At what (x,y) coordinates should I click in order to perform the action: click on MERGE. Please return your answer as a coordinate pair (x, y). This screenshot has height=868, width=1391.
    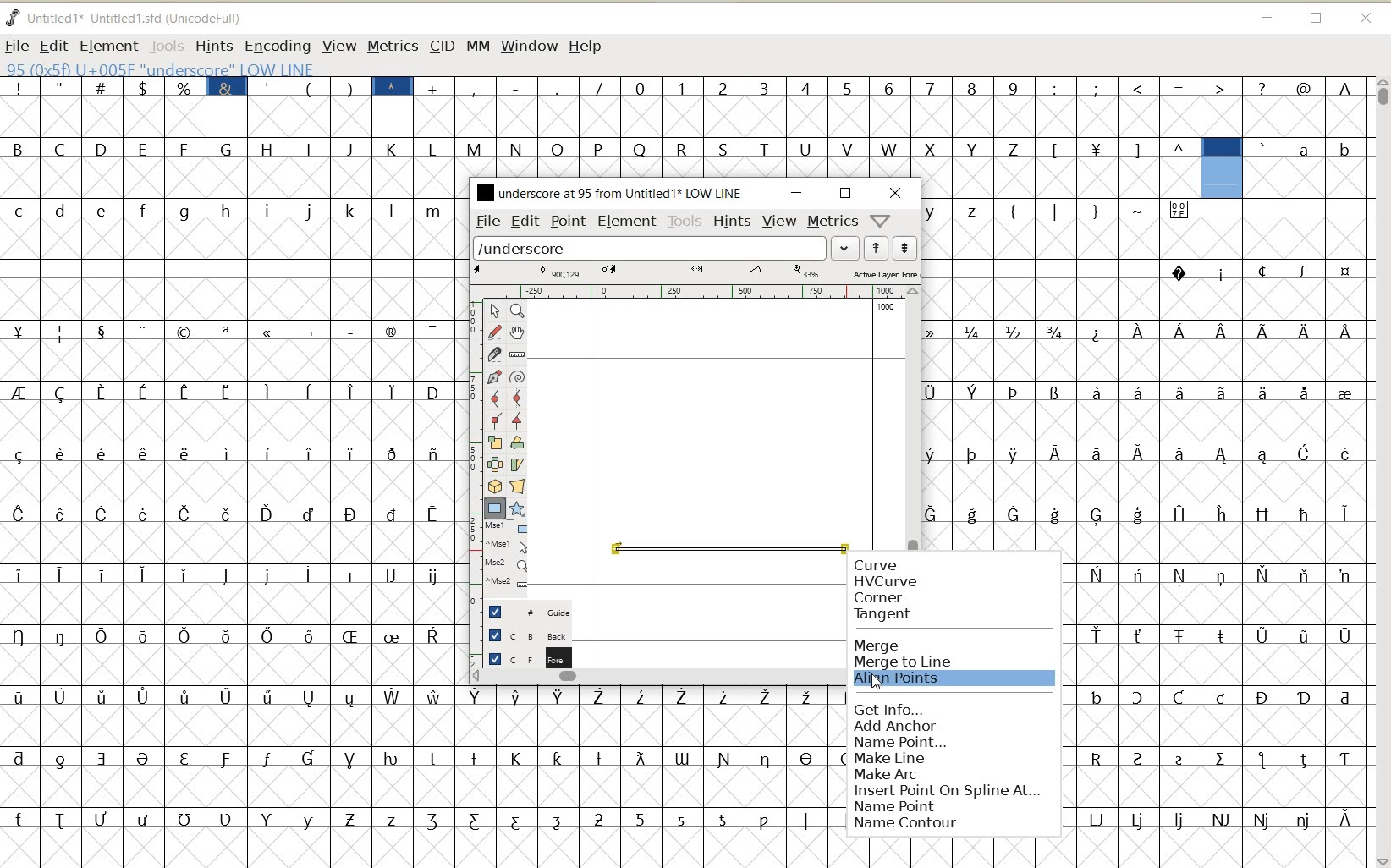
    Looking at the image, I should click on (878, 646).